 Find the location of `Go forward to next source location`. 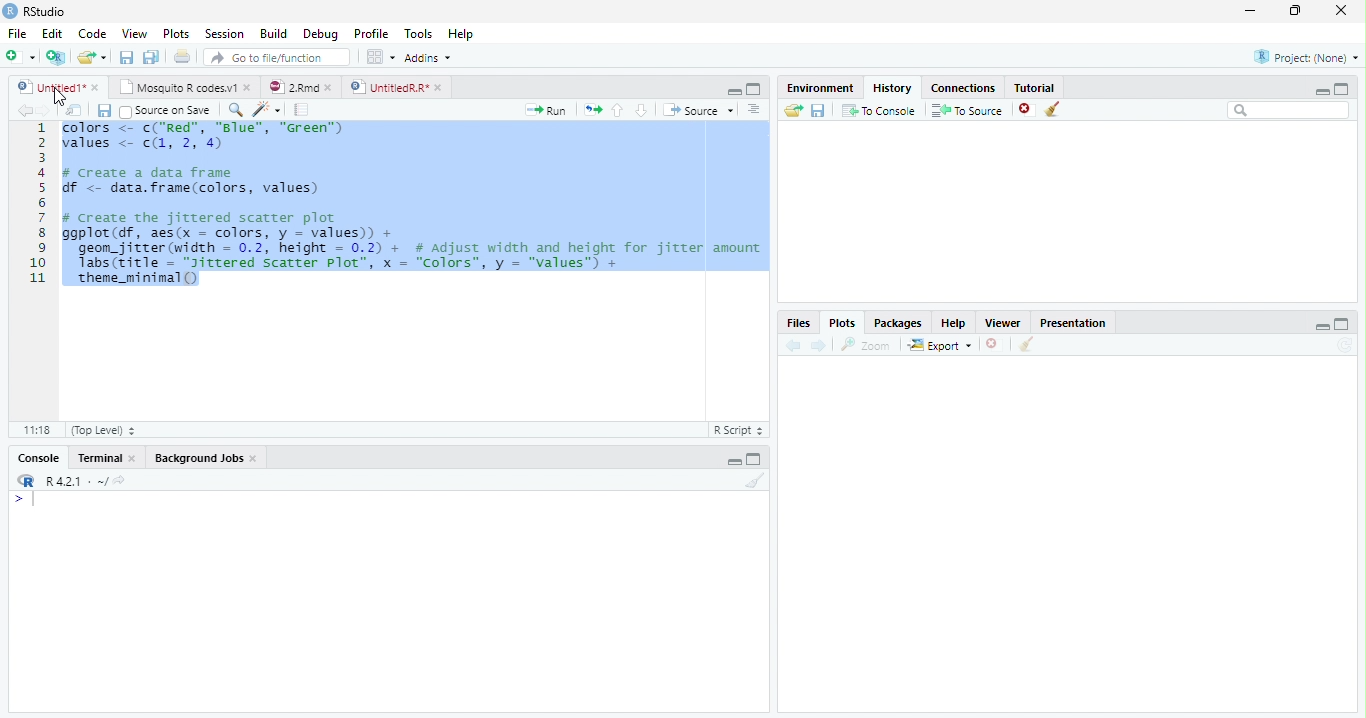

Go forward to next source location is located at coordinates (44, 111).